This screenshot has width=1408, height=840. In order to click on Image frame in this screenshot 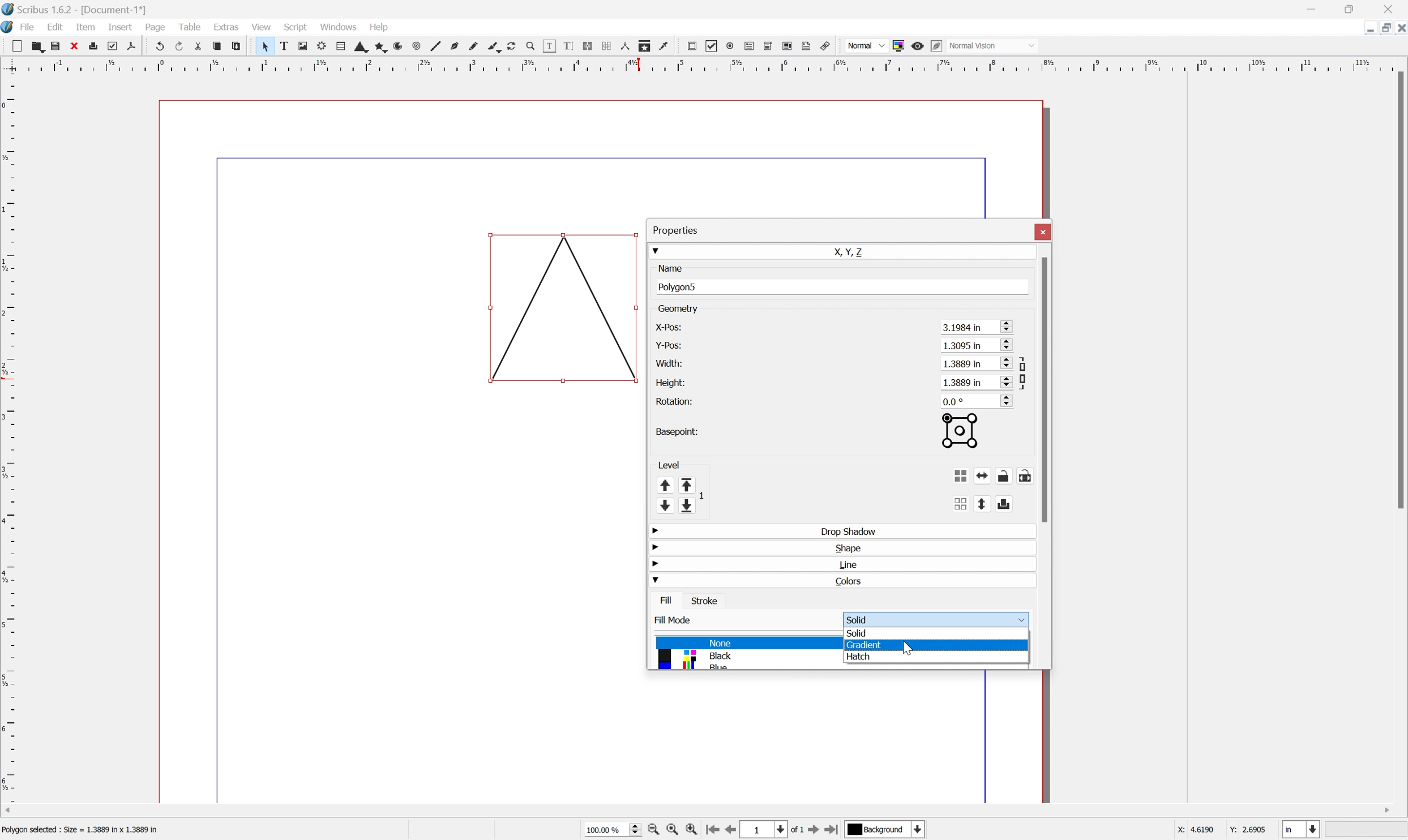, I will do `click(303, 45)`.